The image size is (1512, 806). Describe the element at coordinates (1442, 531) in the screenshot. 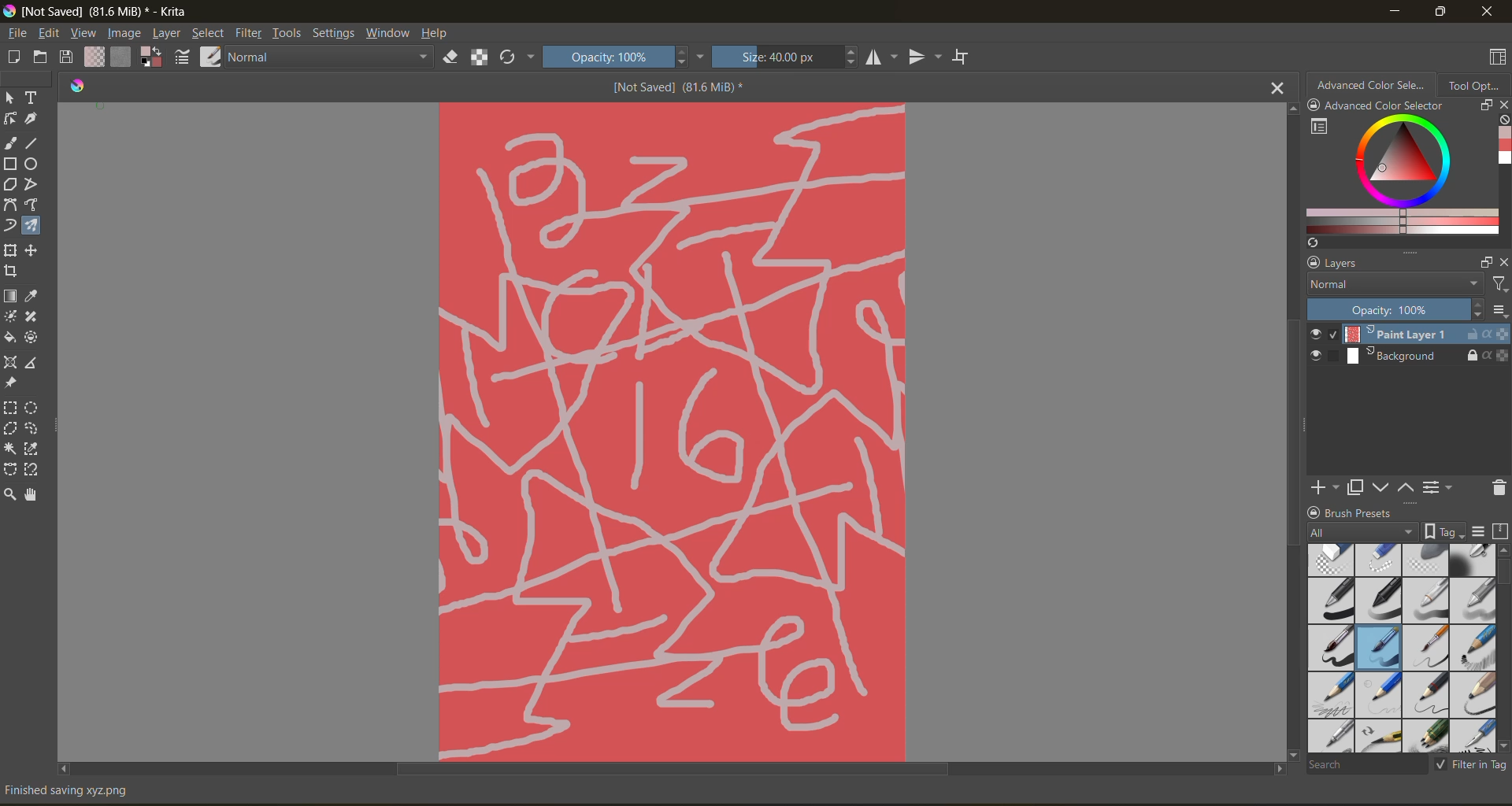

I see `show tag` at that location.